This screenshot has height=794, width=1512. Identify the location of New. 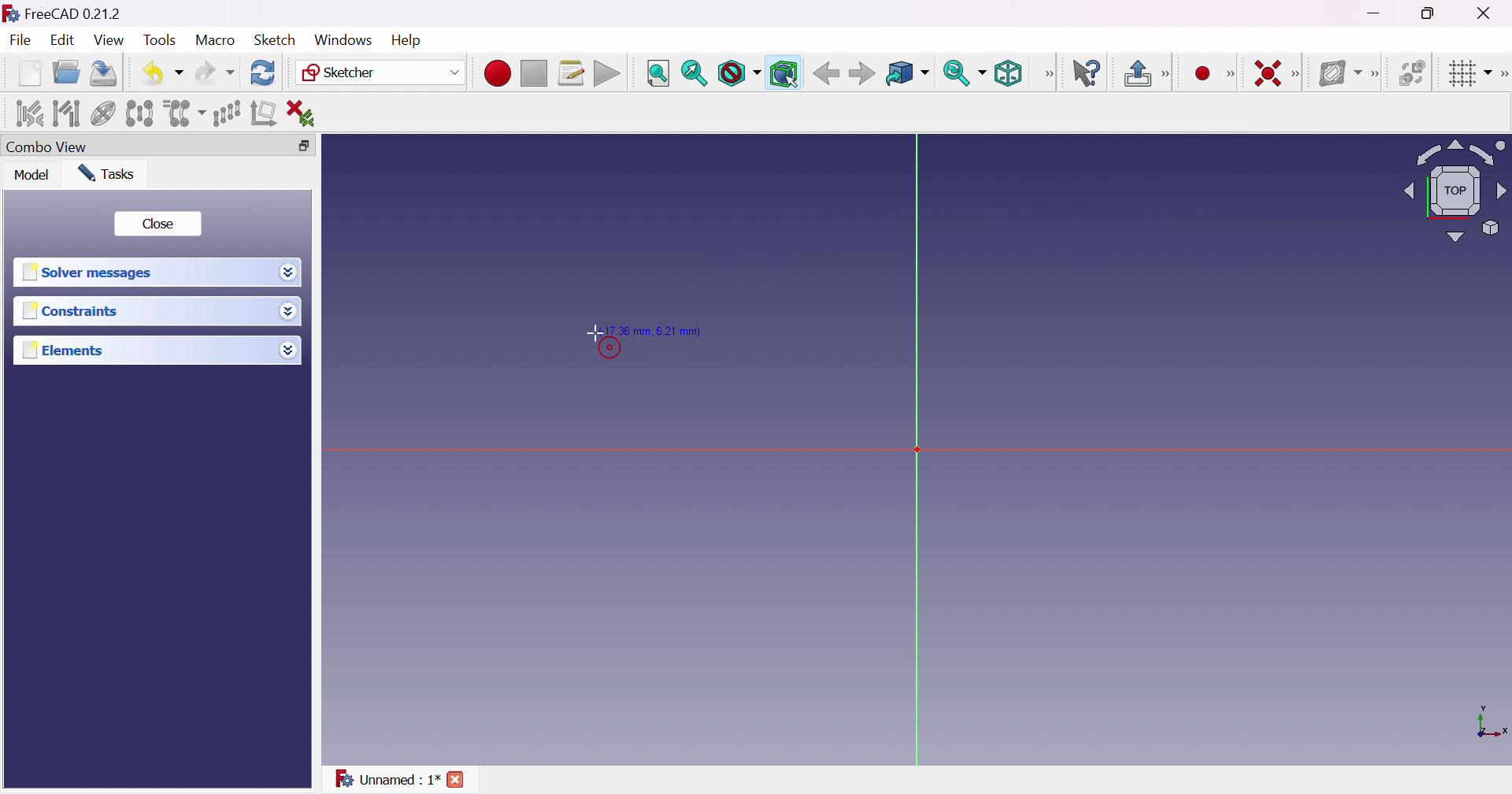
(28, 73).